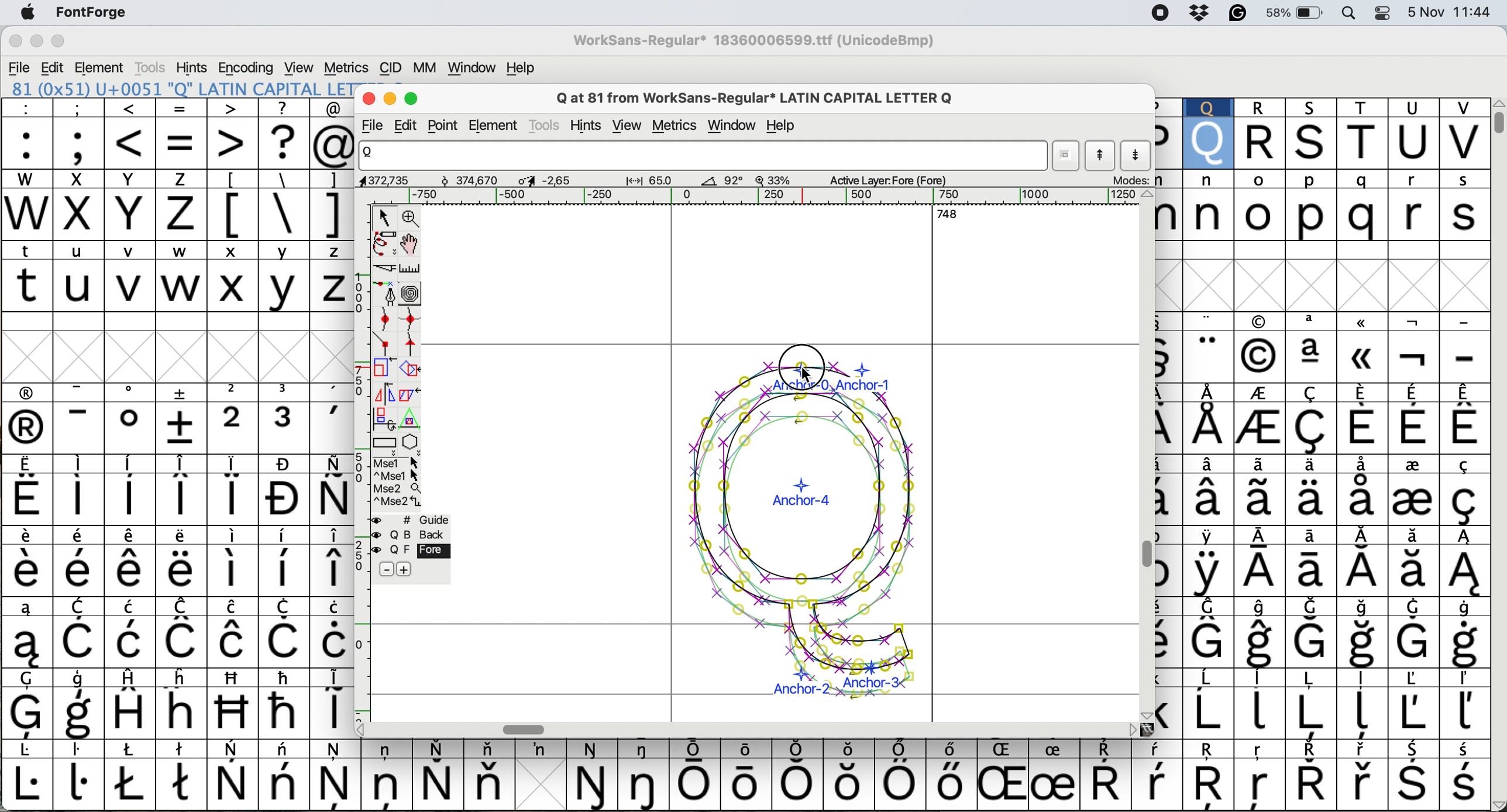  Describe the element at coordinates (940, 213) in the screenshot. I see `horizontal scroll bar` at that location.